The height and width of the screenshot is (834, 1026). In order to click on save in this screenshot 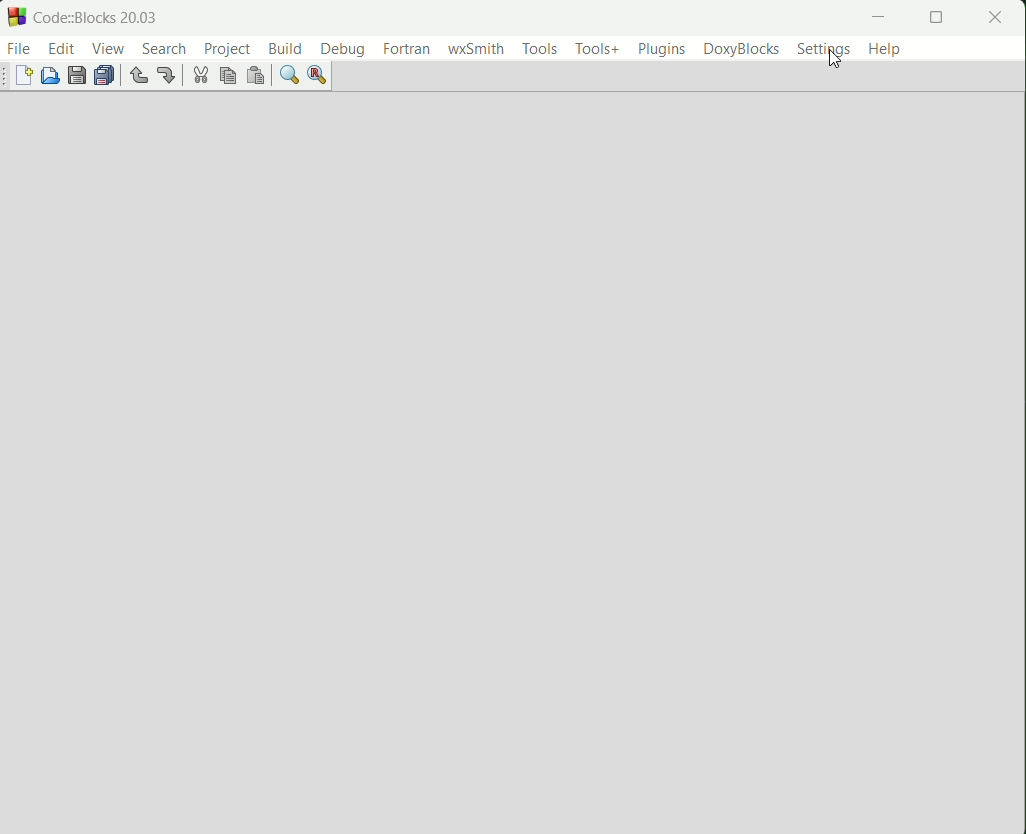, I will do `click(77, 76)`.